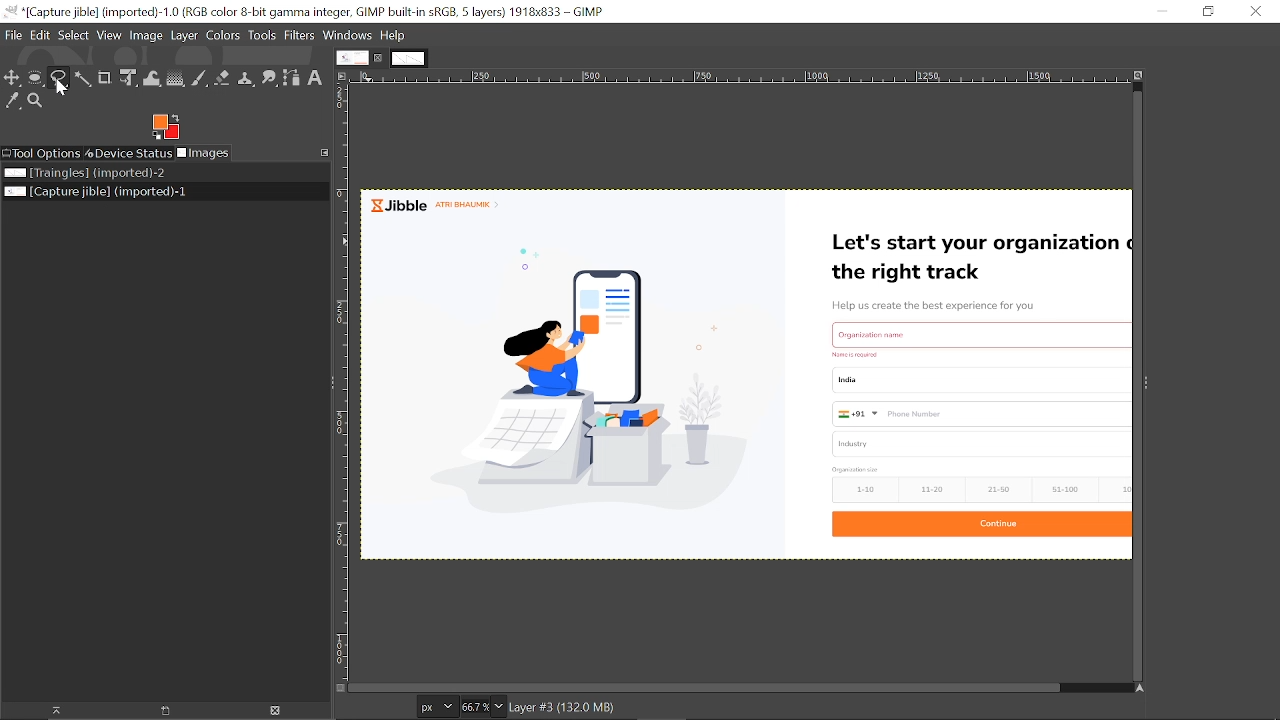  I want to click on Current image file, so click(98, 192).